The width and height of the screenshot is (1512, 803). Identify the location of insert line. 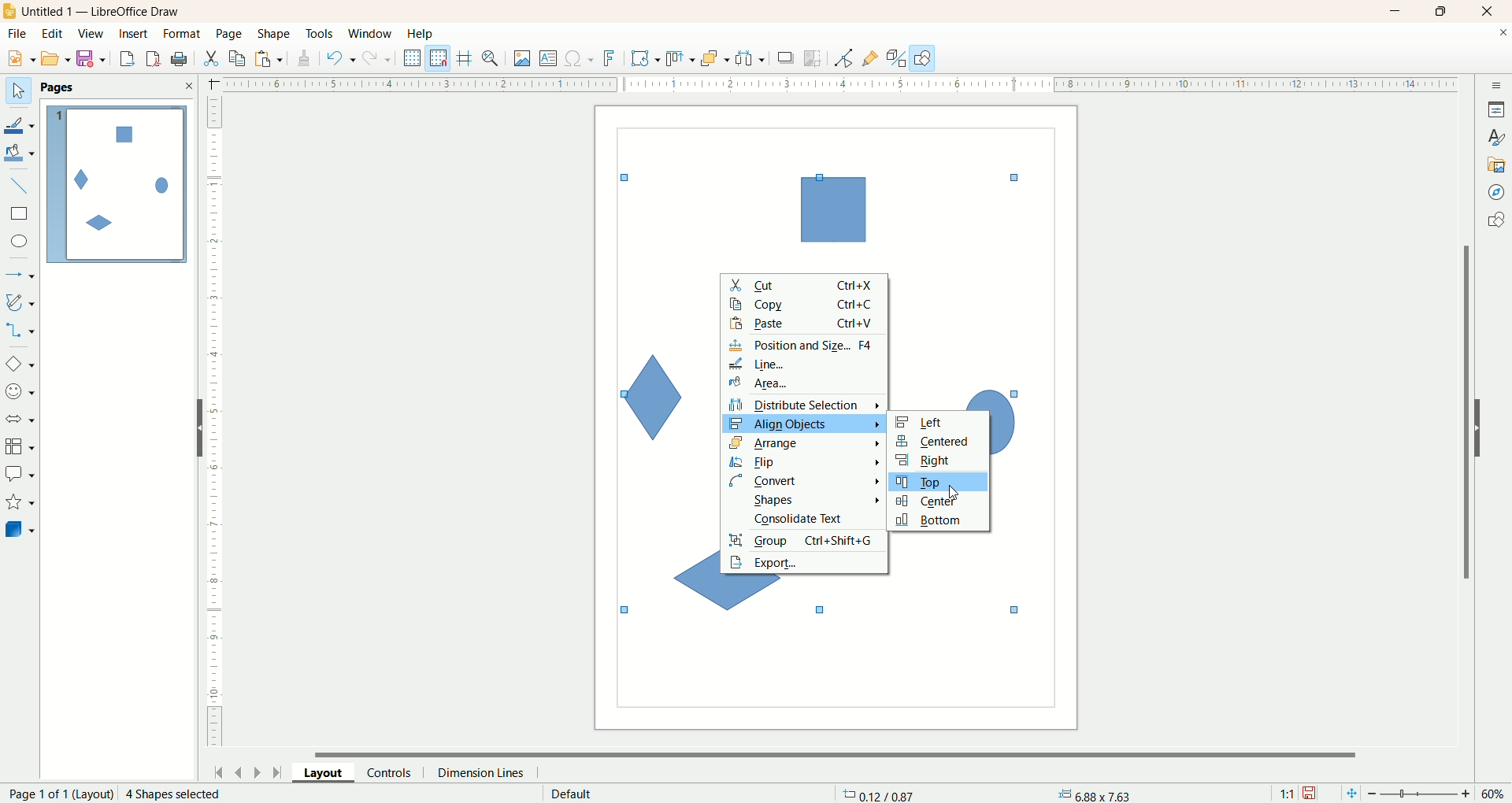
(22, 187).